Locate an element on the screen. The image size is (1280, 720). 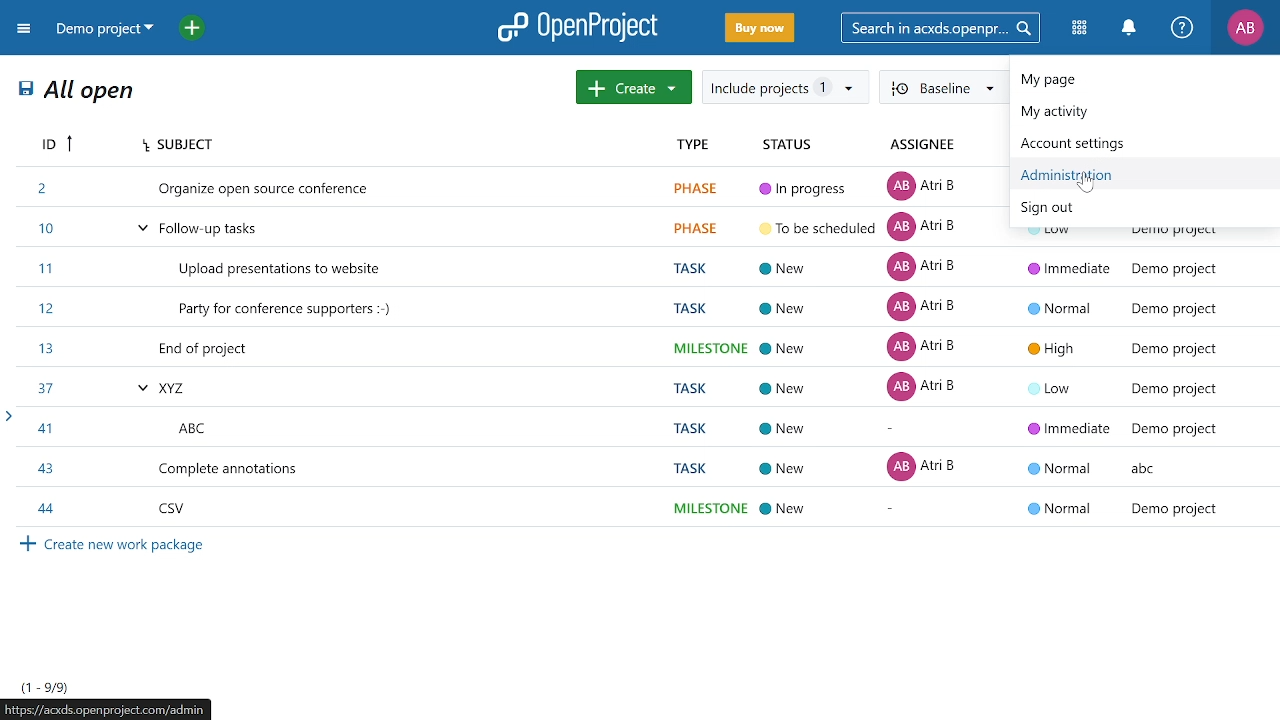
help is located at coordinates (1182, 28).